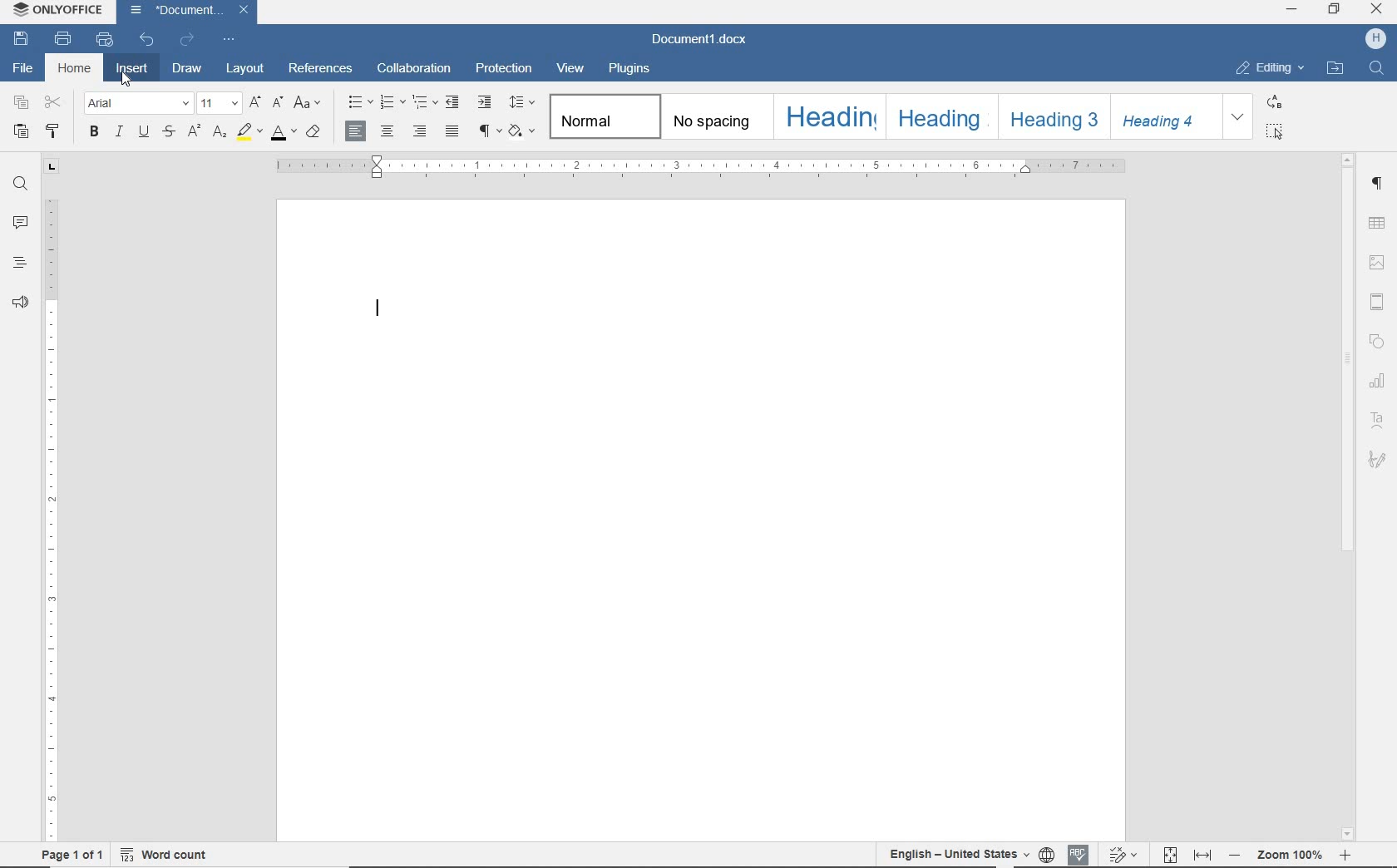 The width and height of the screenshot is (1397, 868). What do you see at coordinates (381, 306) in the screenshot?
I see `Text cursor` at bounding box center [381, 306].